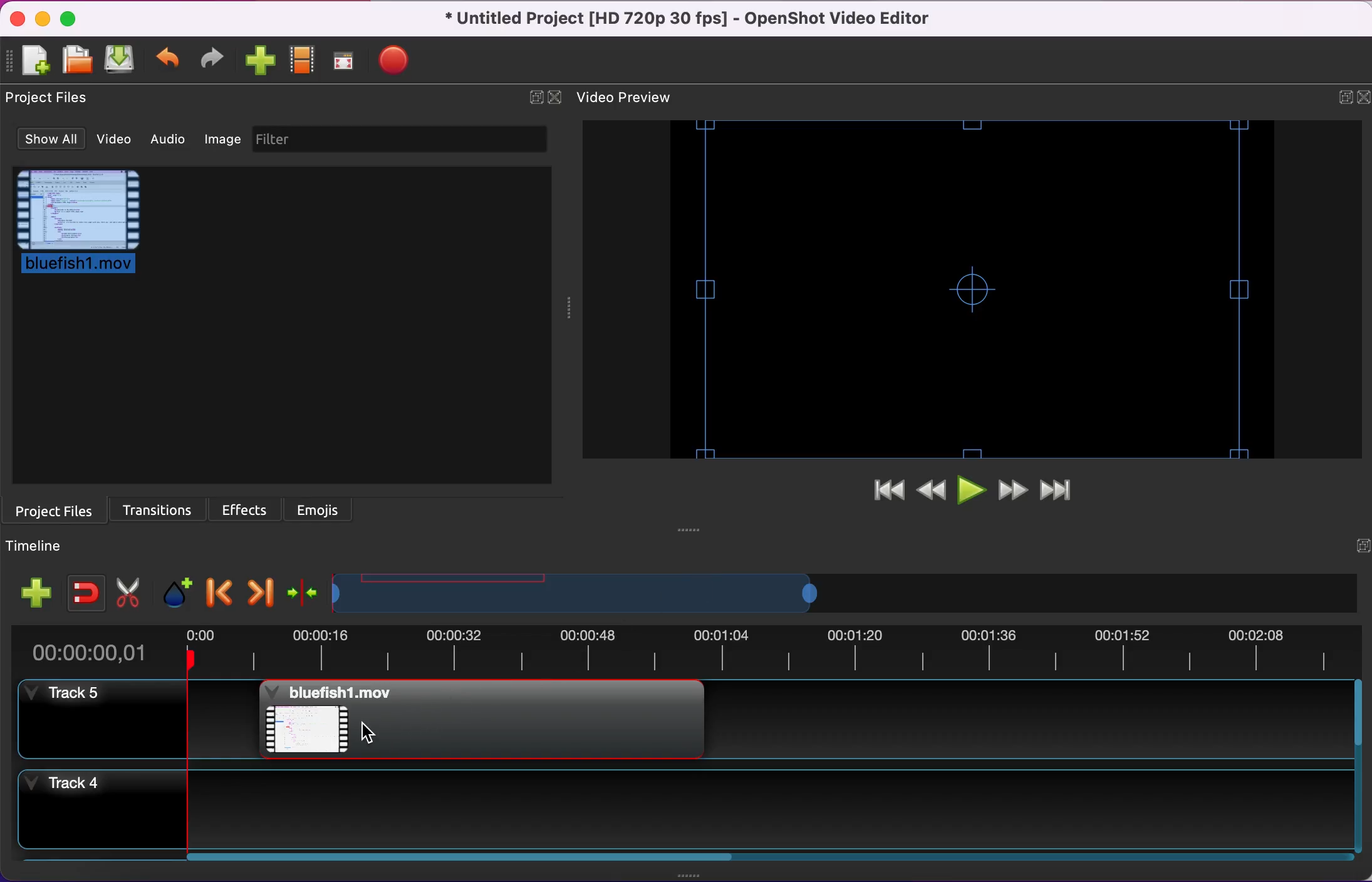  Describe the element at coordinates (66, 696) in the screenshot. I see `track 5` at that location.